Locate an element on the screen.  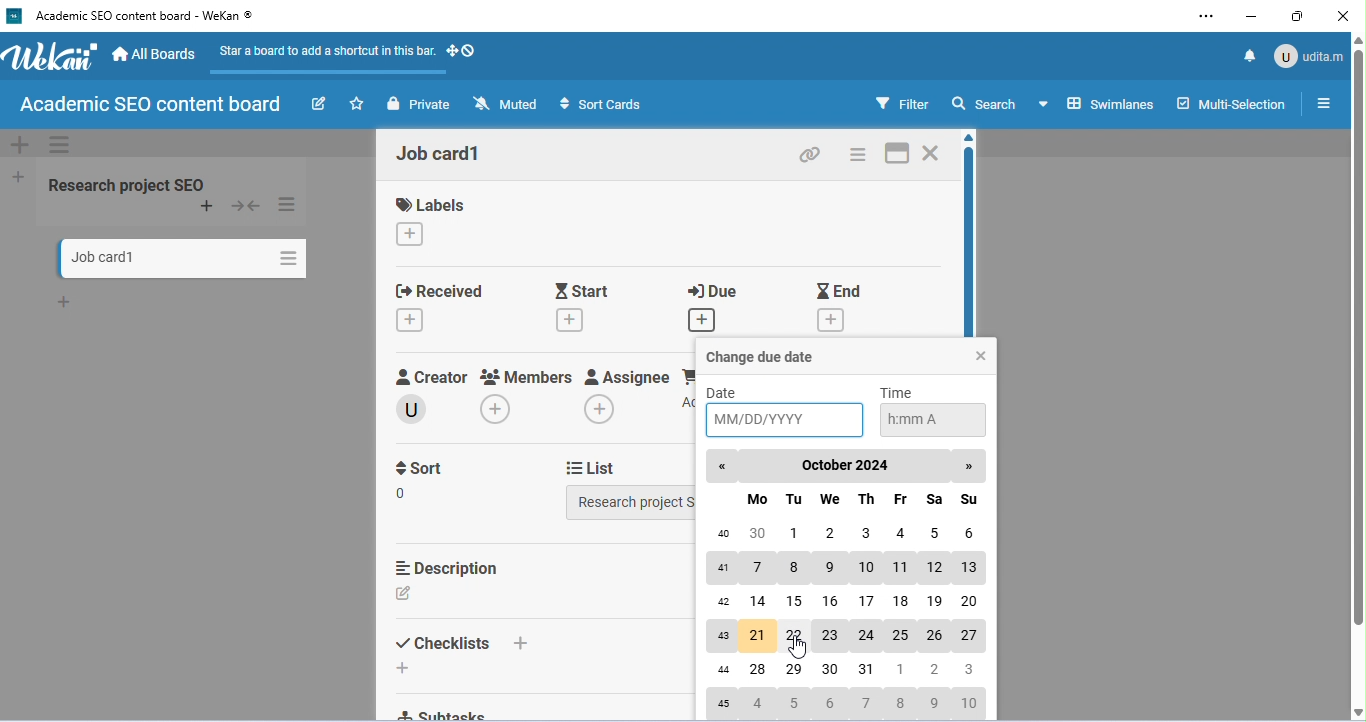
add assignee is located at coordinates (599, 408).